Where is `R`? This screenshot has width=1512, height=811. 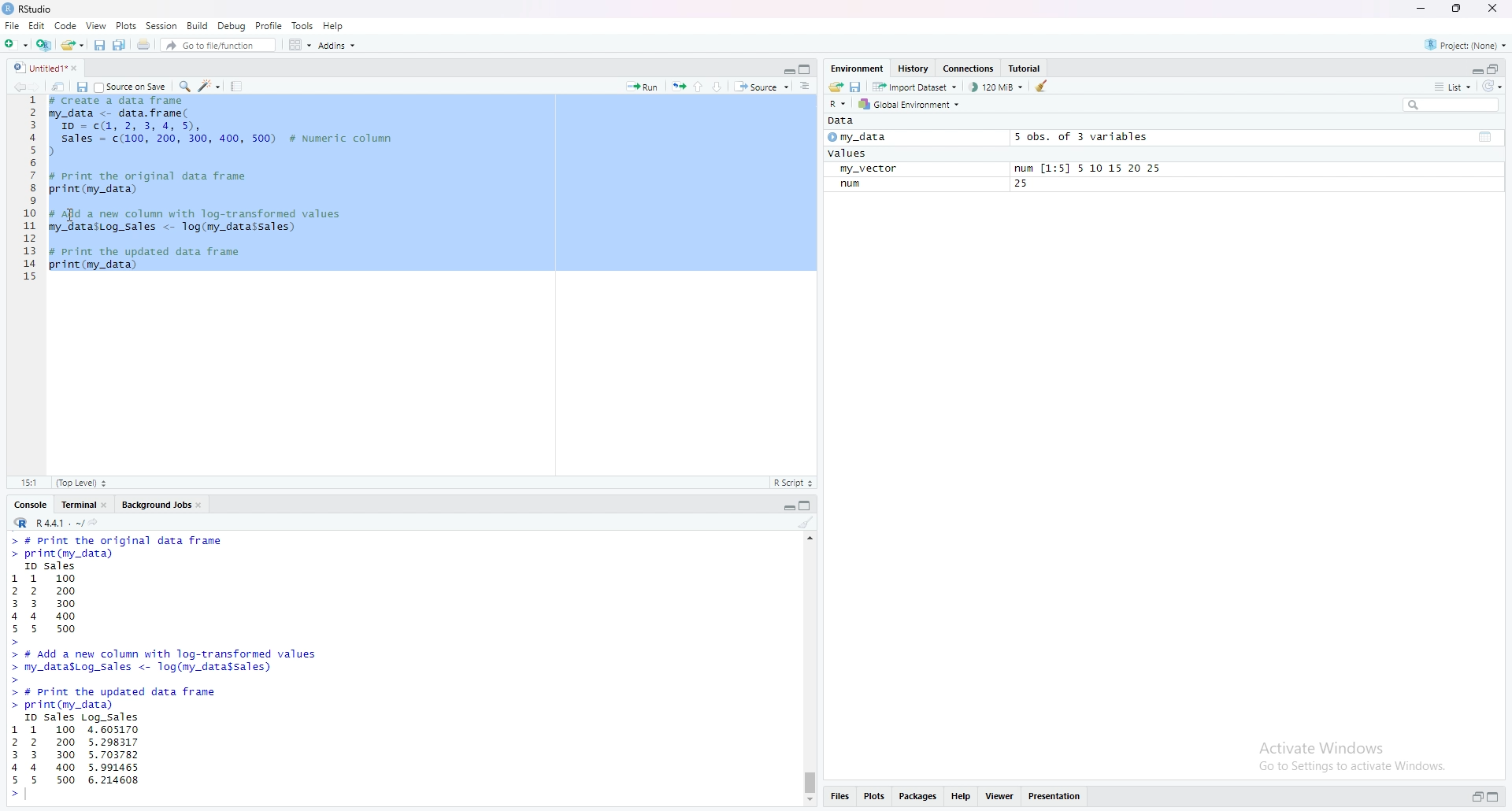
R is located at coordinates (20, 524).